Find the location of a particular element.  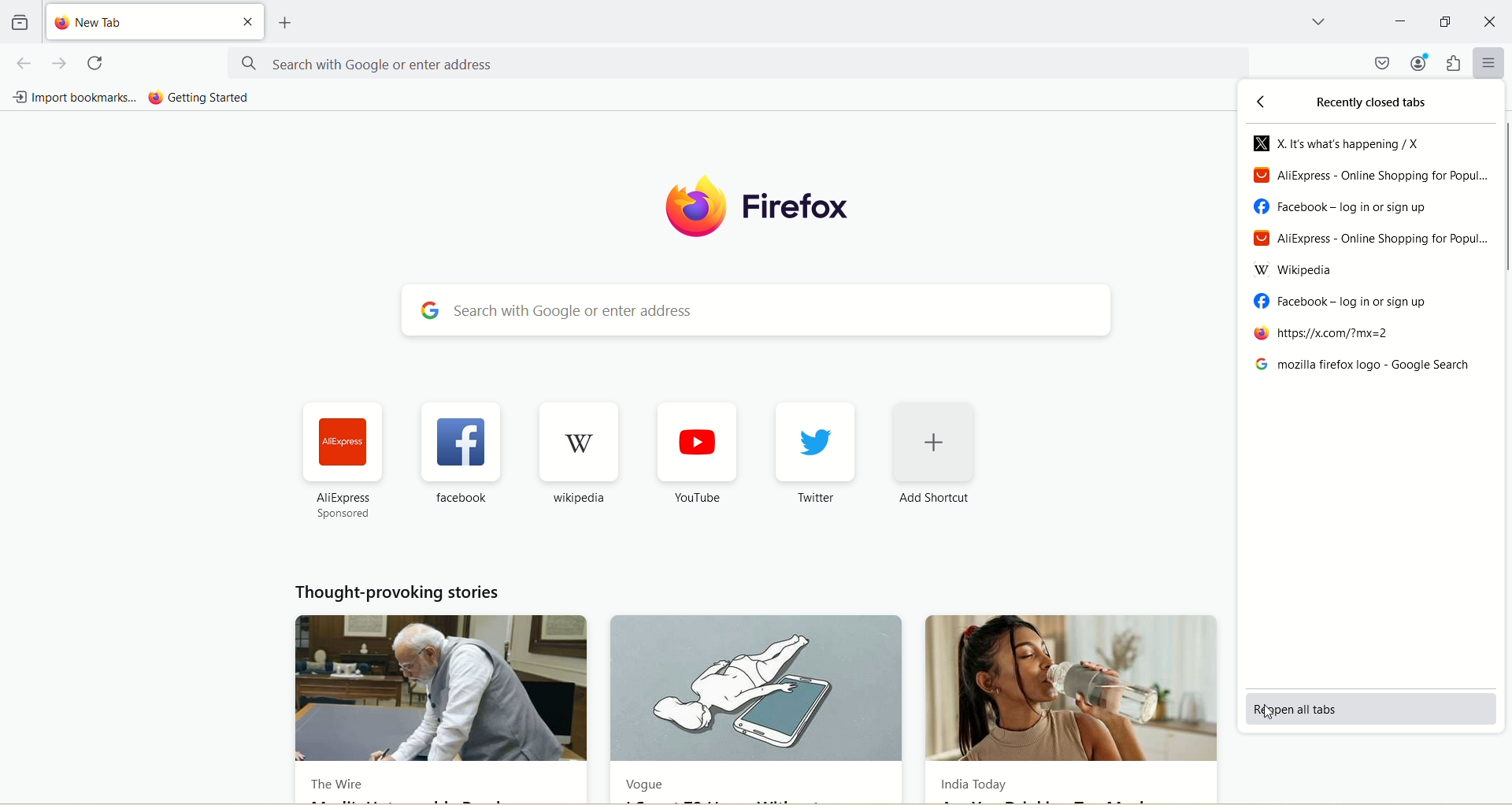

wikipedia is located at coordinates (577, 498).